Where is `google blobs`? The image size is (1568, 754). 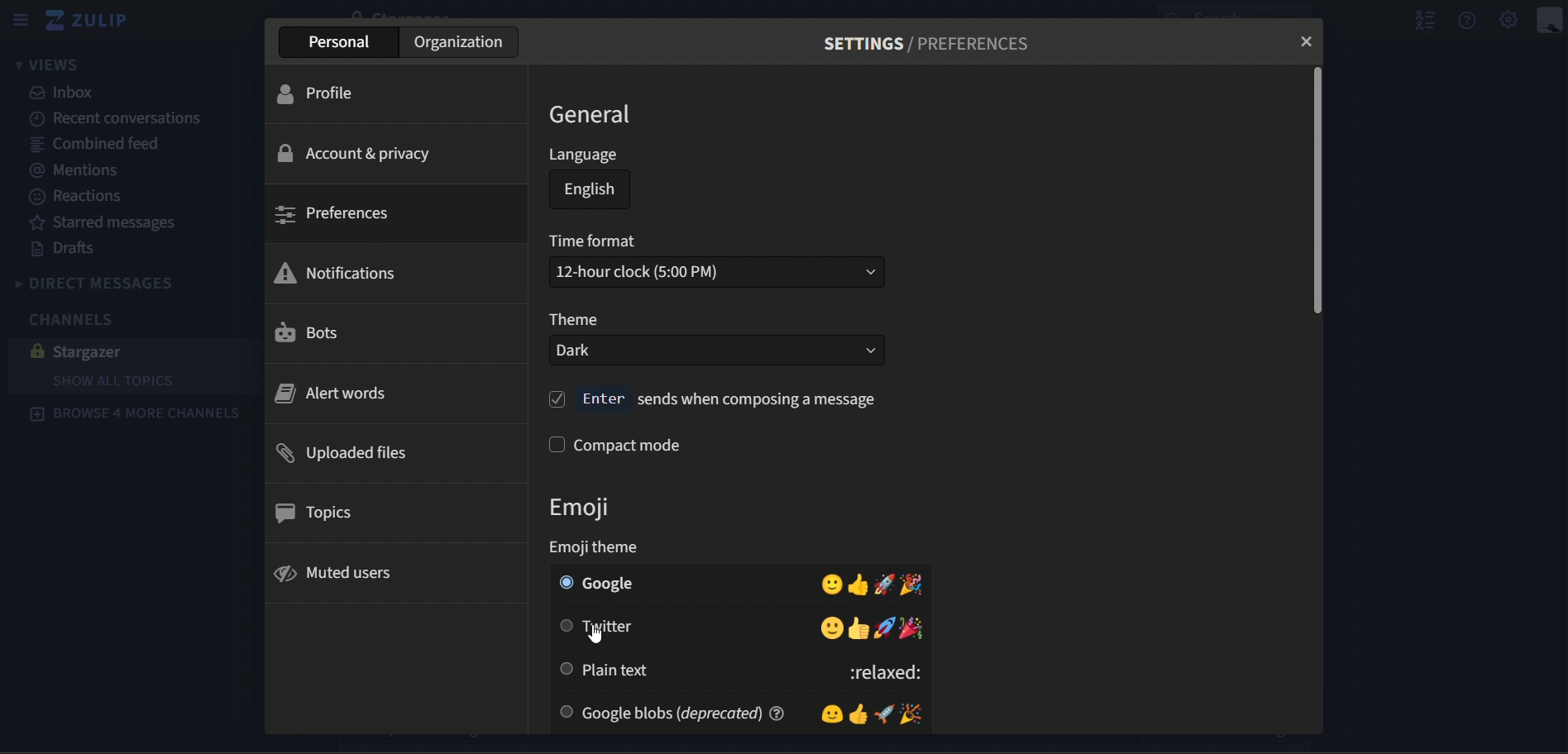
google blobs is located at coordinates (746, 712).